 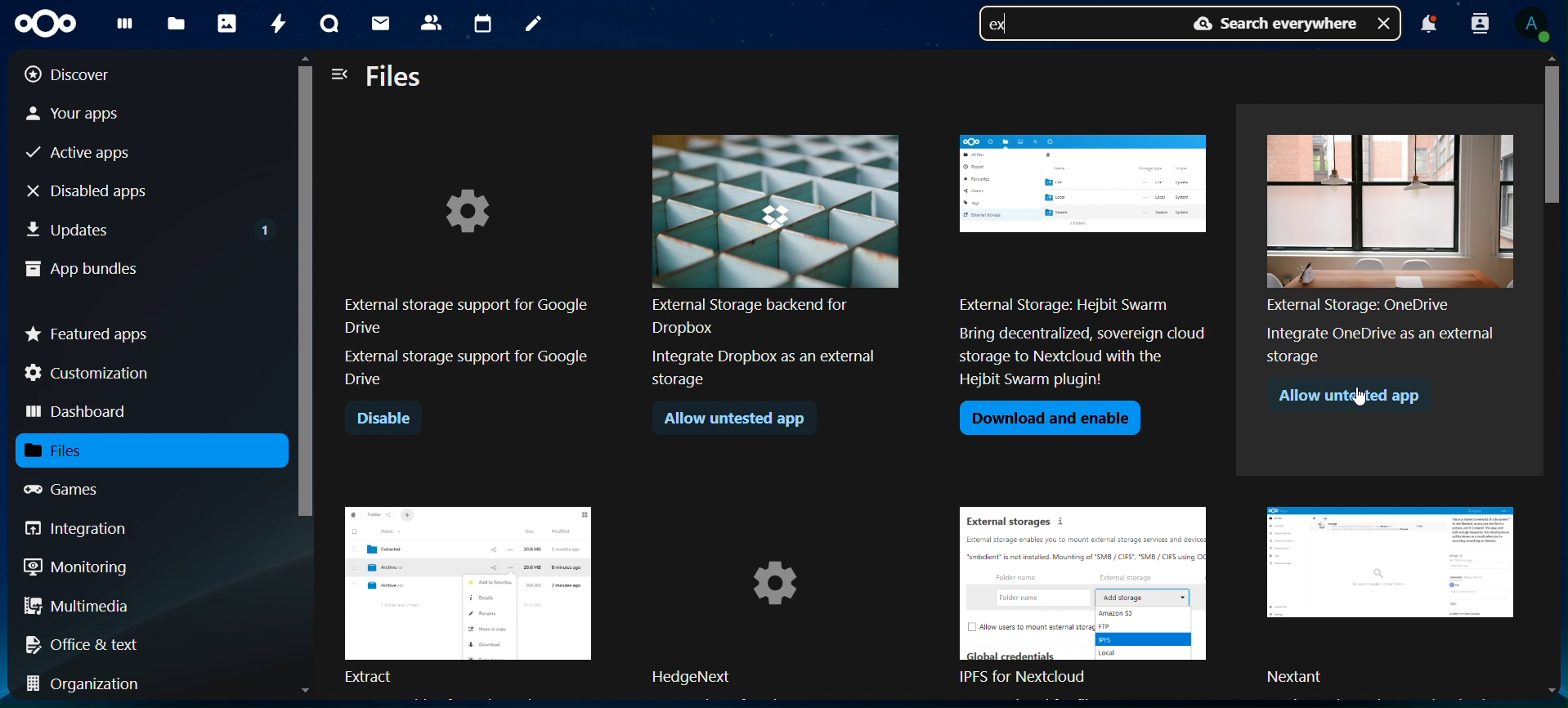 What do you see at coordinates (531, 25) in the screenshot?
I see `notes` at bounding box center [531, 25].